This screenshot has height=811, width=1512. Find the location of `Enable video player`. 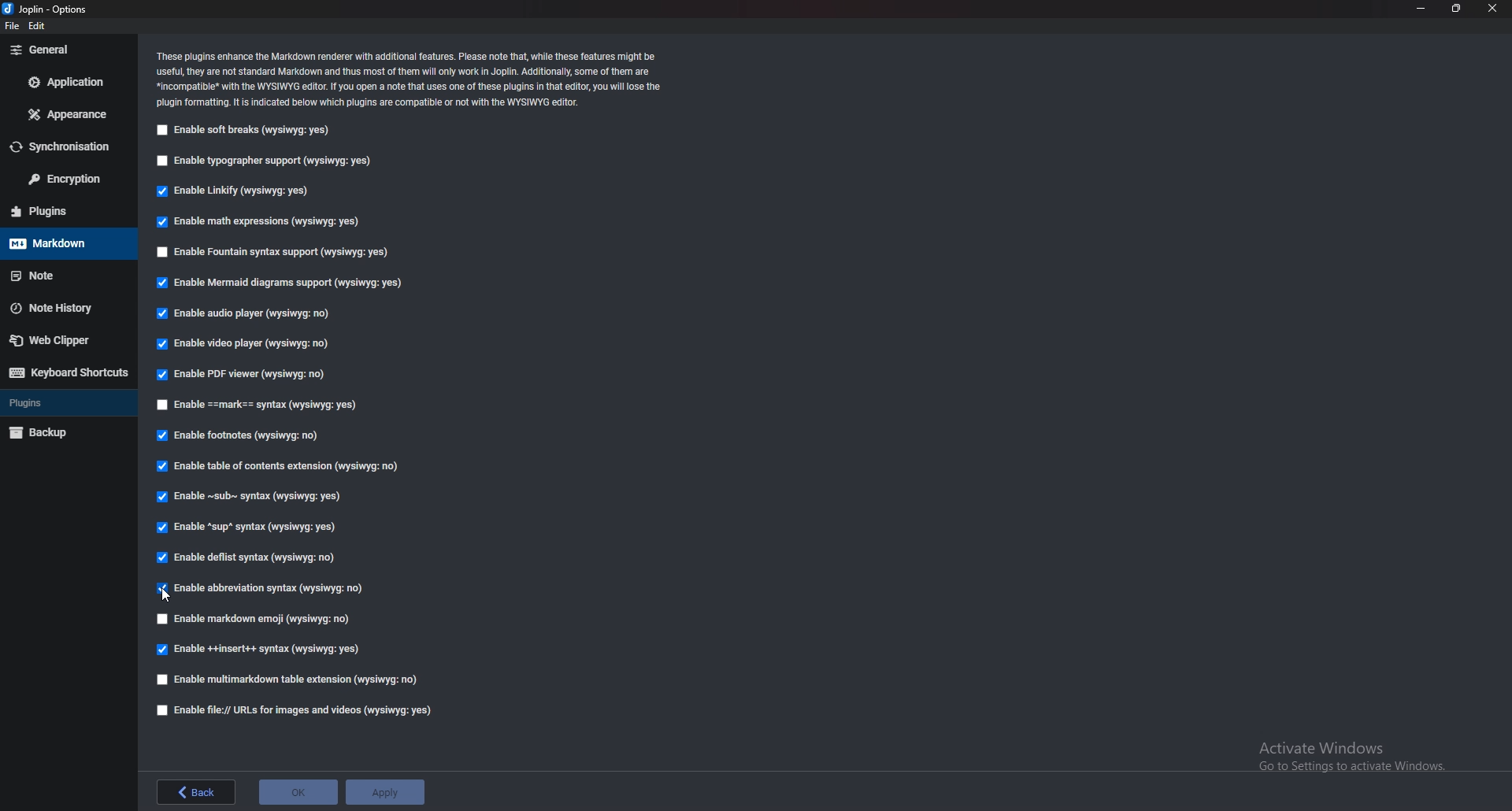

Enable video player is located at coordinates (250, 345).